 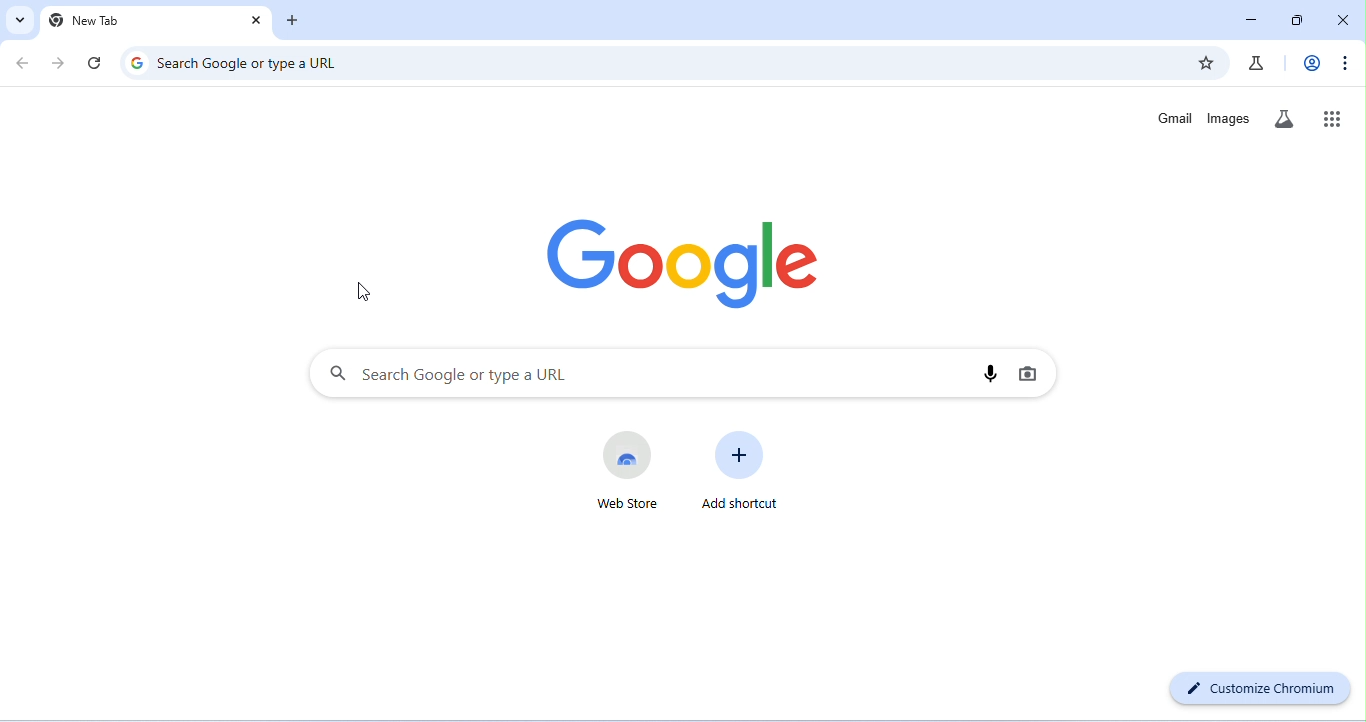 I want to click on add new tab, so click(x=294, y=19).